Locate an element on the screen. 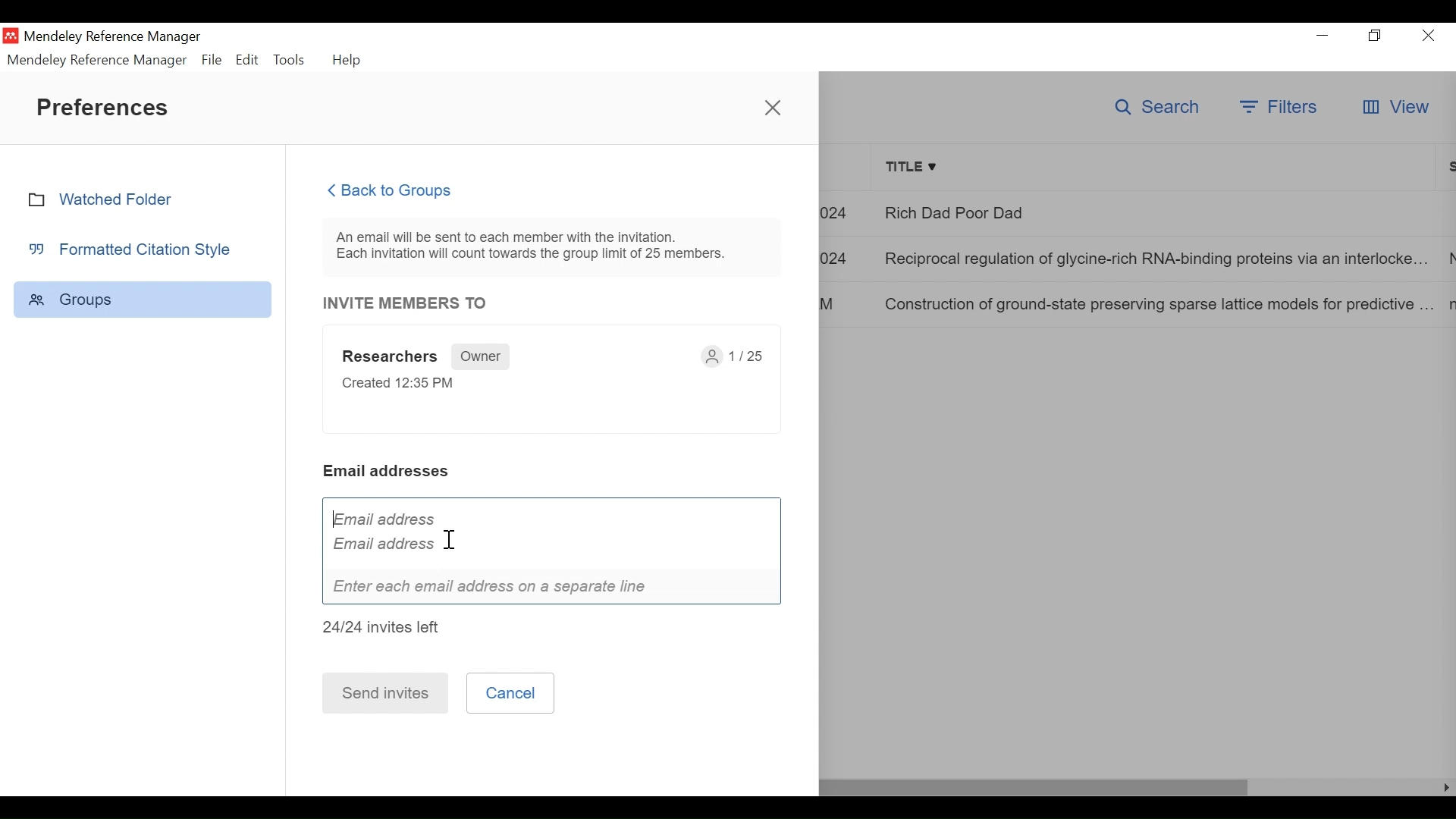  Rich Dad Poor Dad is located at coordinates (1158, 212).